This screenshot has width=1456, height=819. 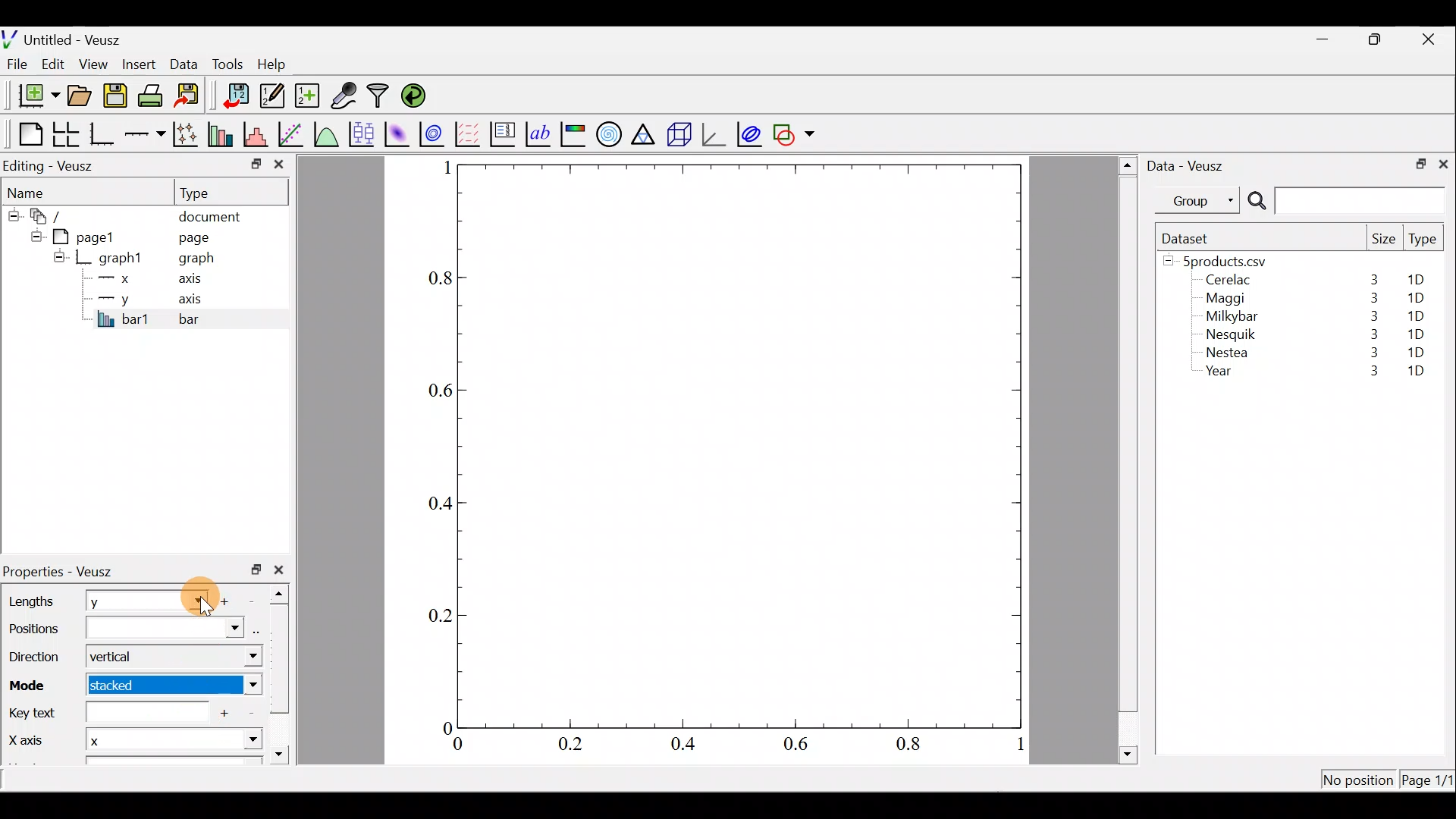 What do you see at coordinates (1227, 300) in the screenshot?
I see `Maggi` at bounding box center [1227, 300].